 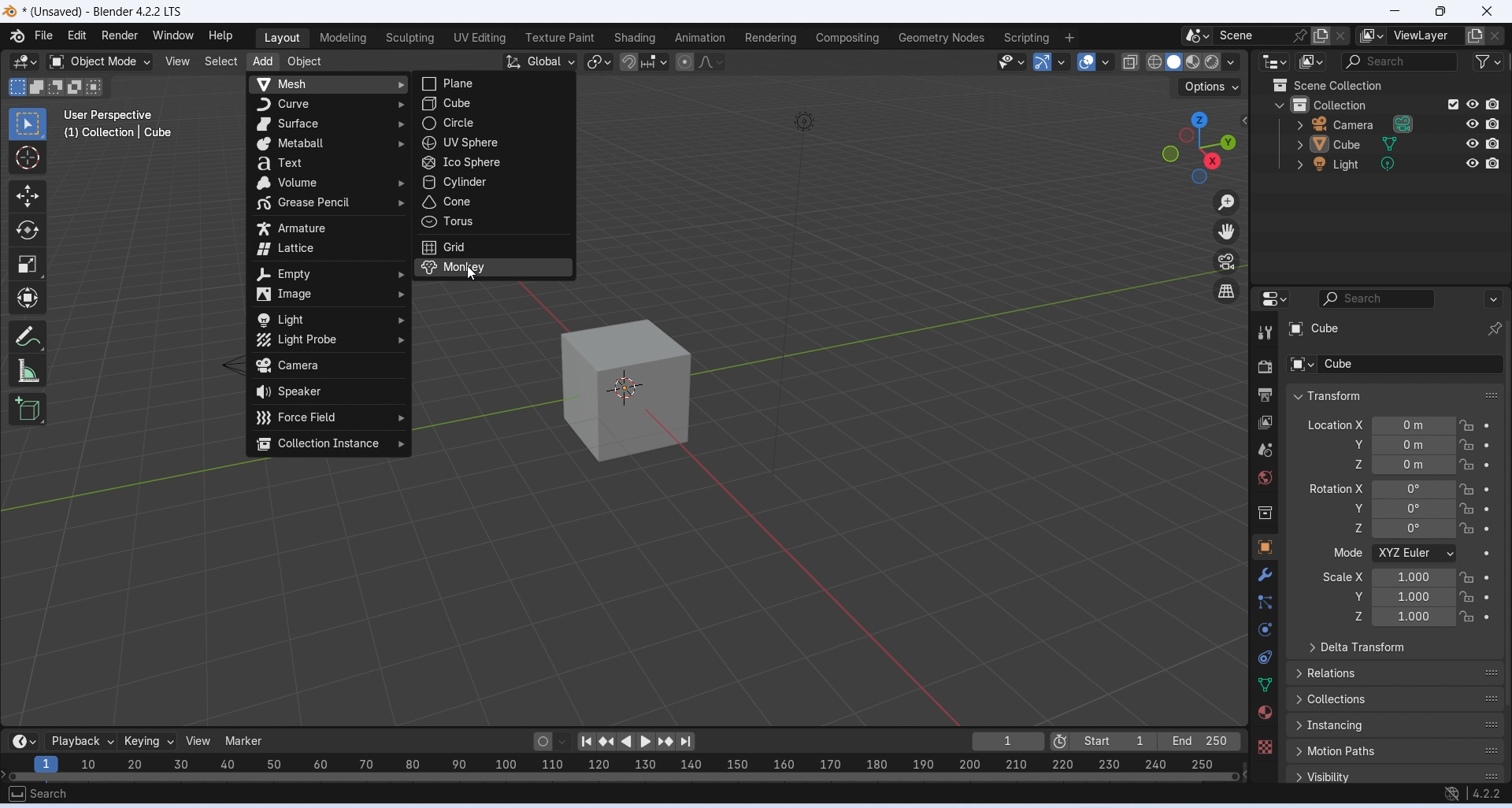 I want to click on view, so click(x=201, y=740).